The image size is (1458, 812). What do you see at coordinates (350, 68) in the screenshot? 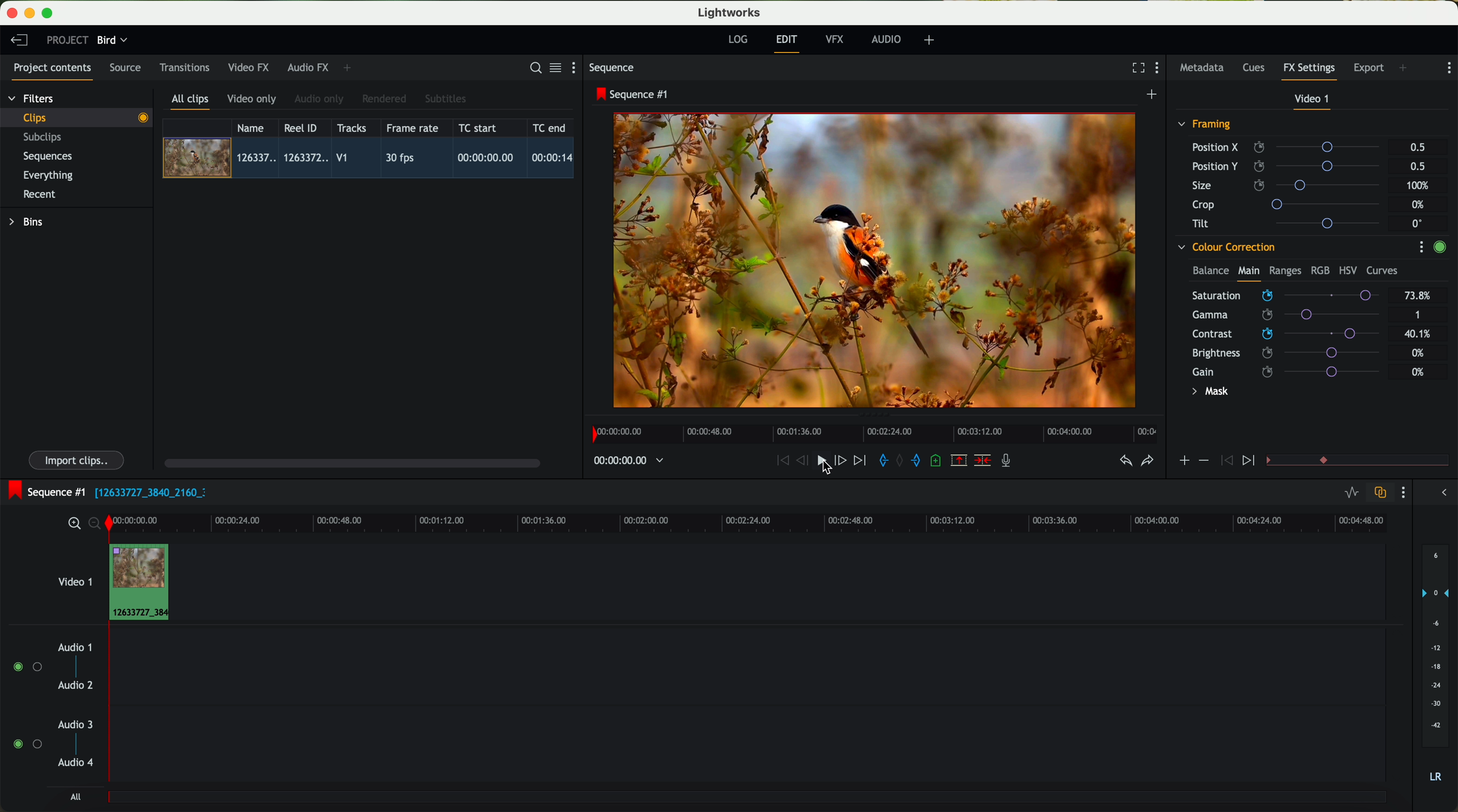
I see `add panel` at bounding box center [350, 68].